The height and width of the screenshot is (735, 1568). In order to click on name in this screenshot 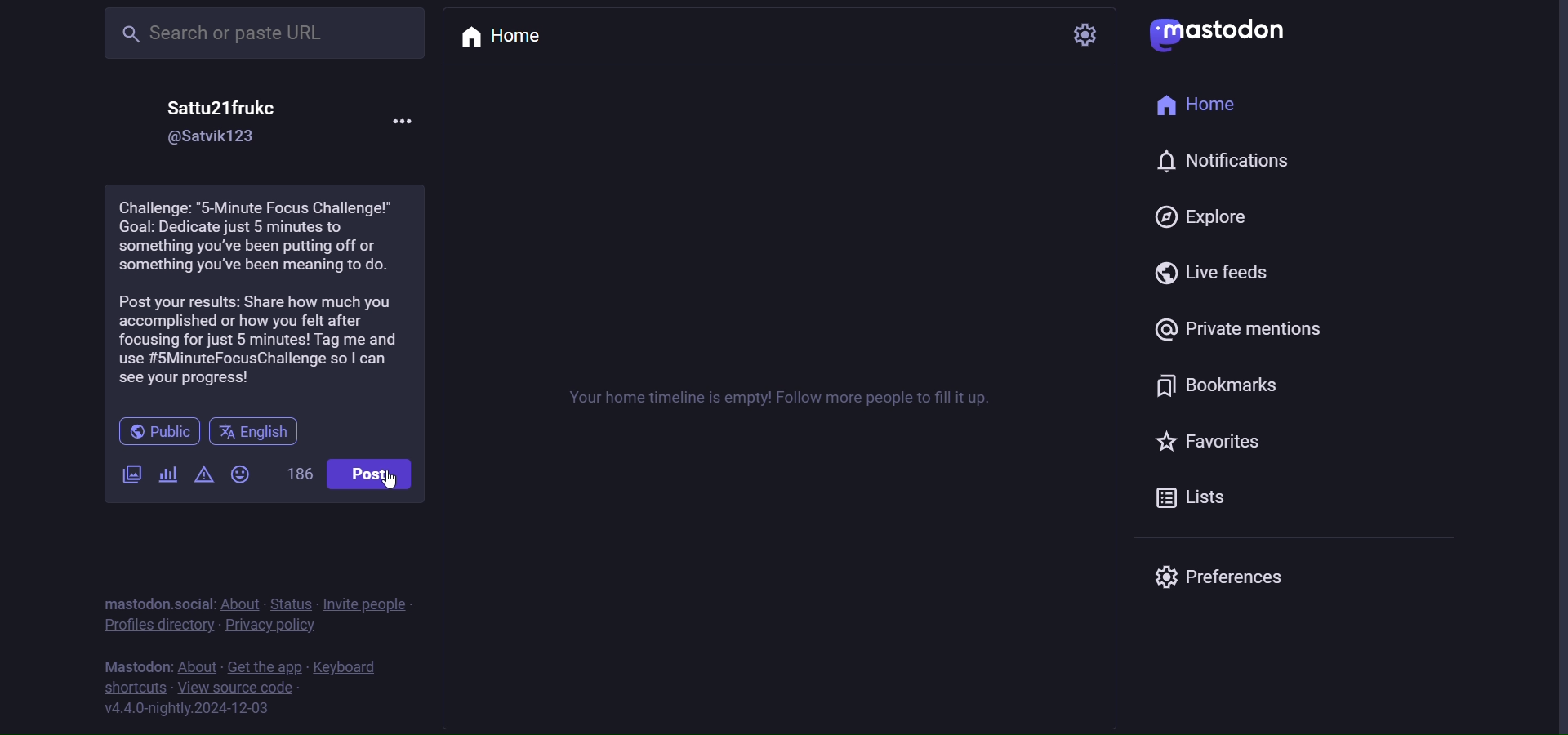, I will do `click(224, 102)`.